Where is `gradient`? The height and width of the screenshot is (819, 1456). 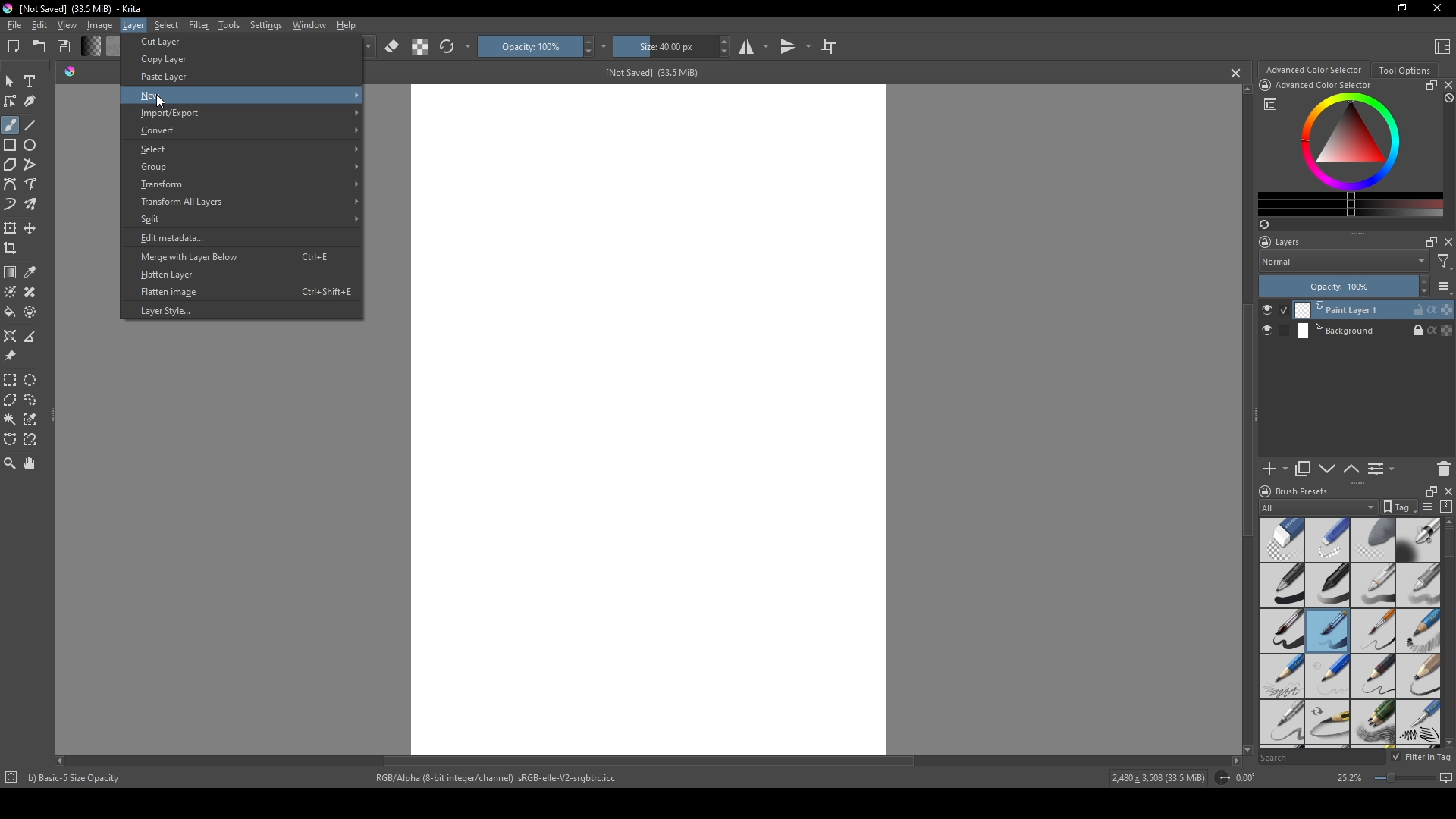
gradient is located at coordinates (11, 272).